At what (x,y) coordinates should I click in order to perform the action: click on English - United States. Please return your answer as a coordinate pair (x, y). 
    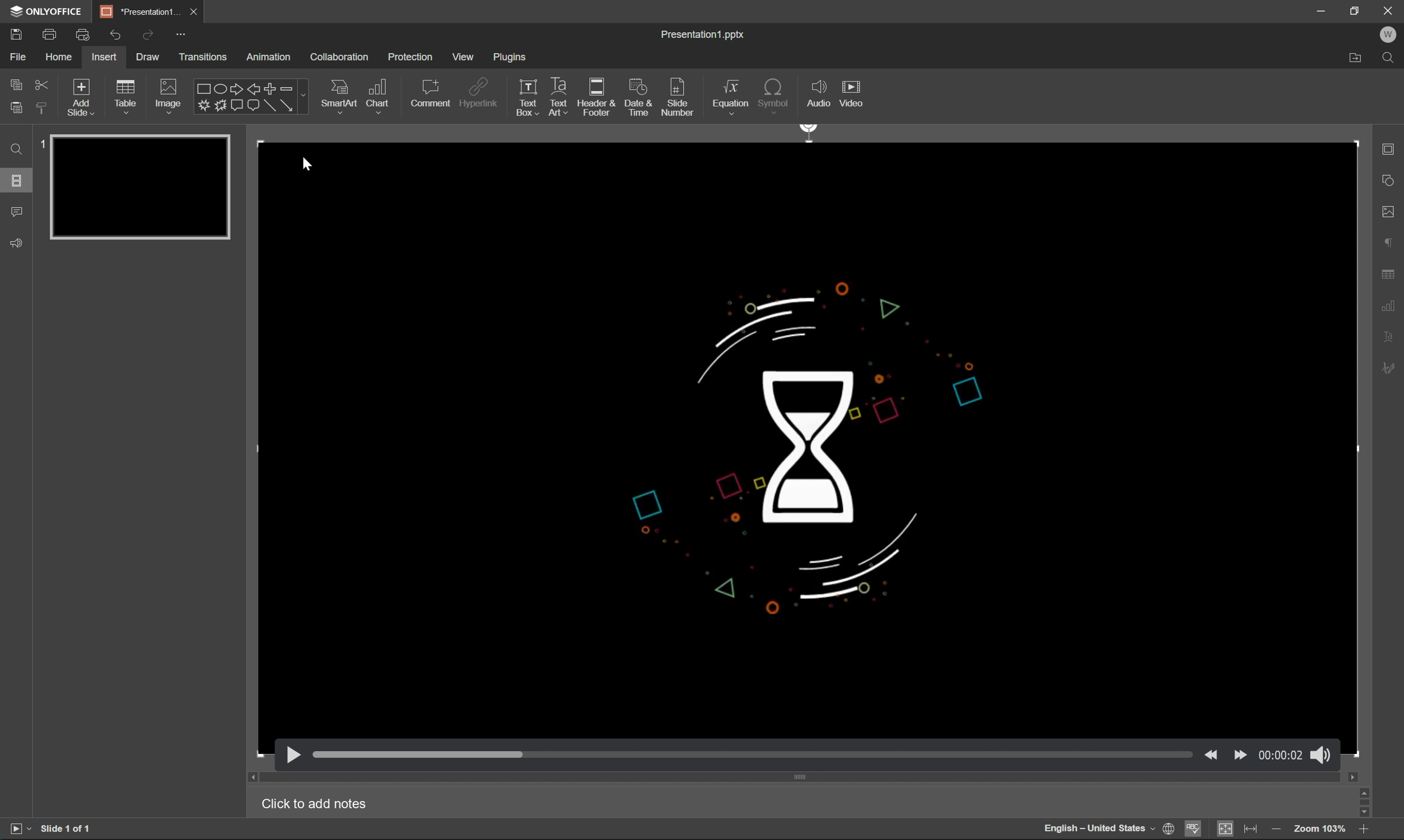
    Looking at the image, I should click on (1096, 829).